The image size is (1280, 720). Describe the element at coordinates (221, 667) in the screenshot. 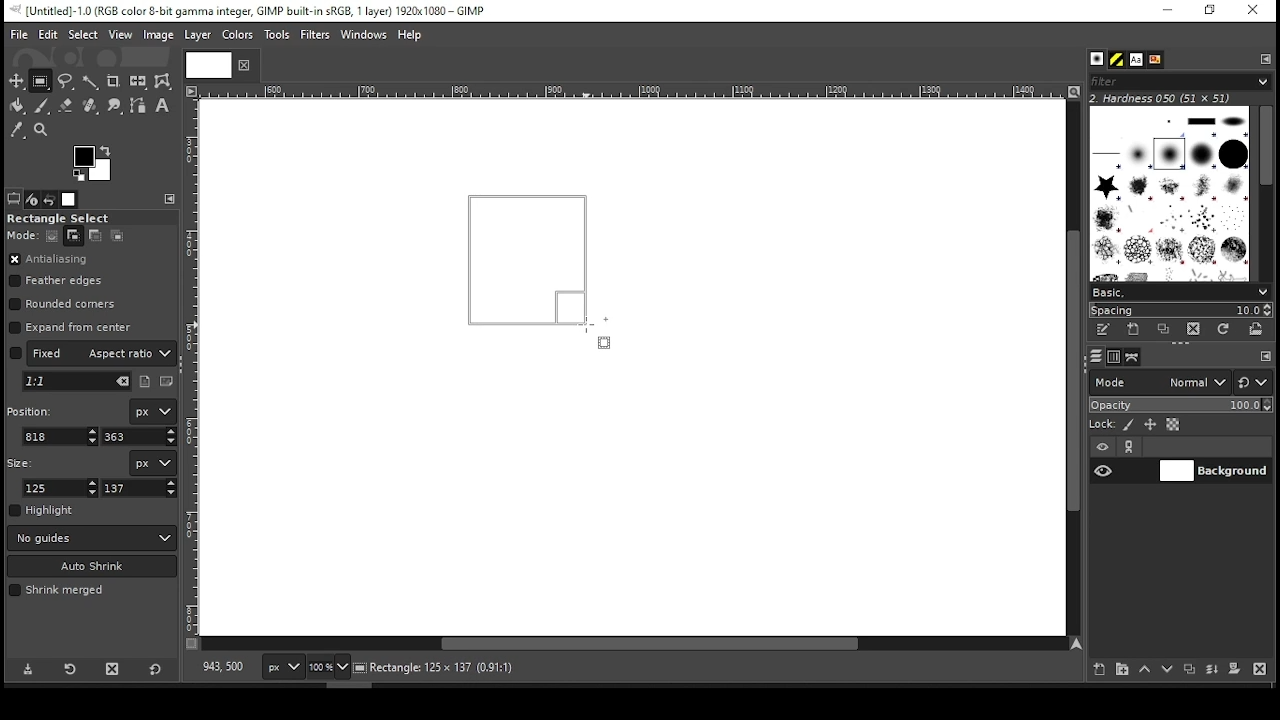

I see `818,363` at that location.